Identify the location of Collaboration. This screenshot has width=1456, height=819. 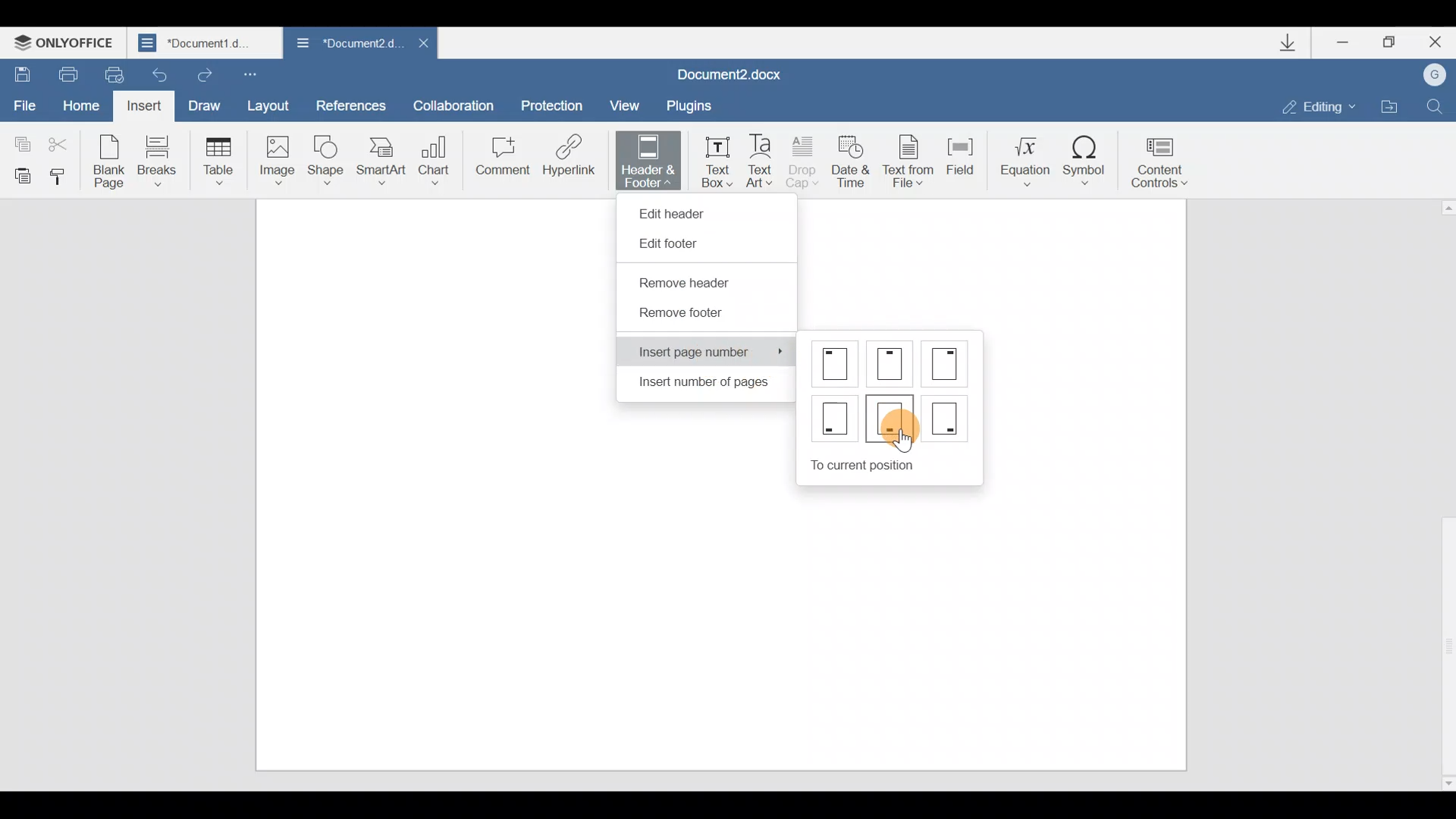
(459, 104).